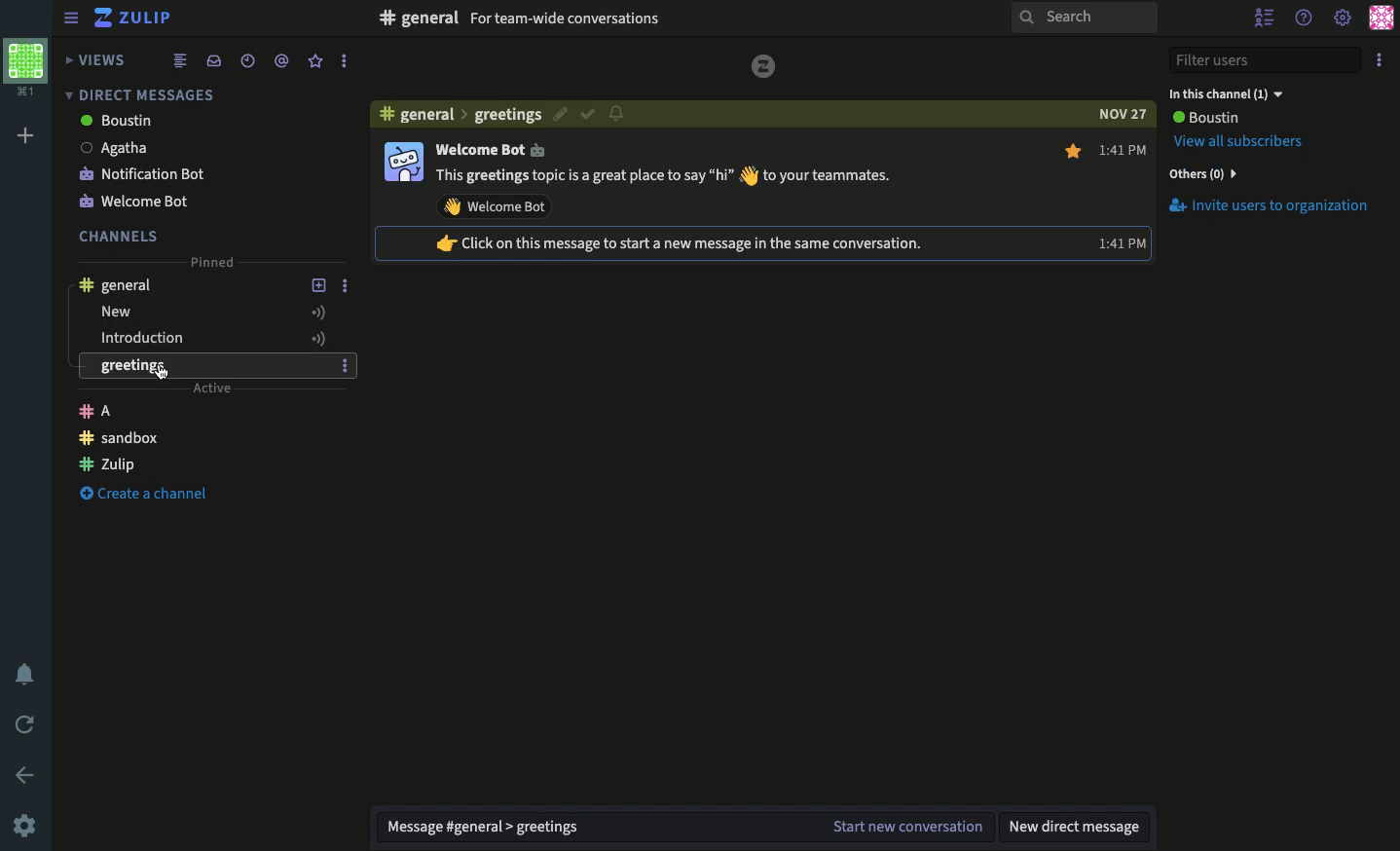 This screenshot has height=851, width=1400. I want to click on wave at welcome bot, so click(496, 206).